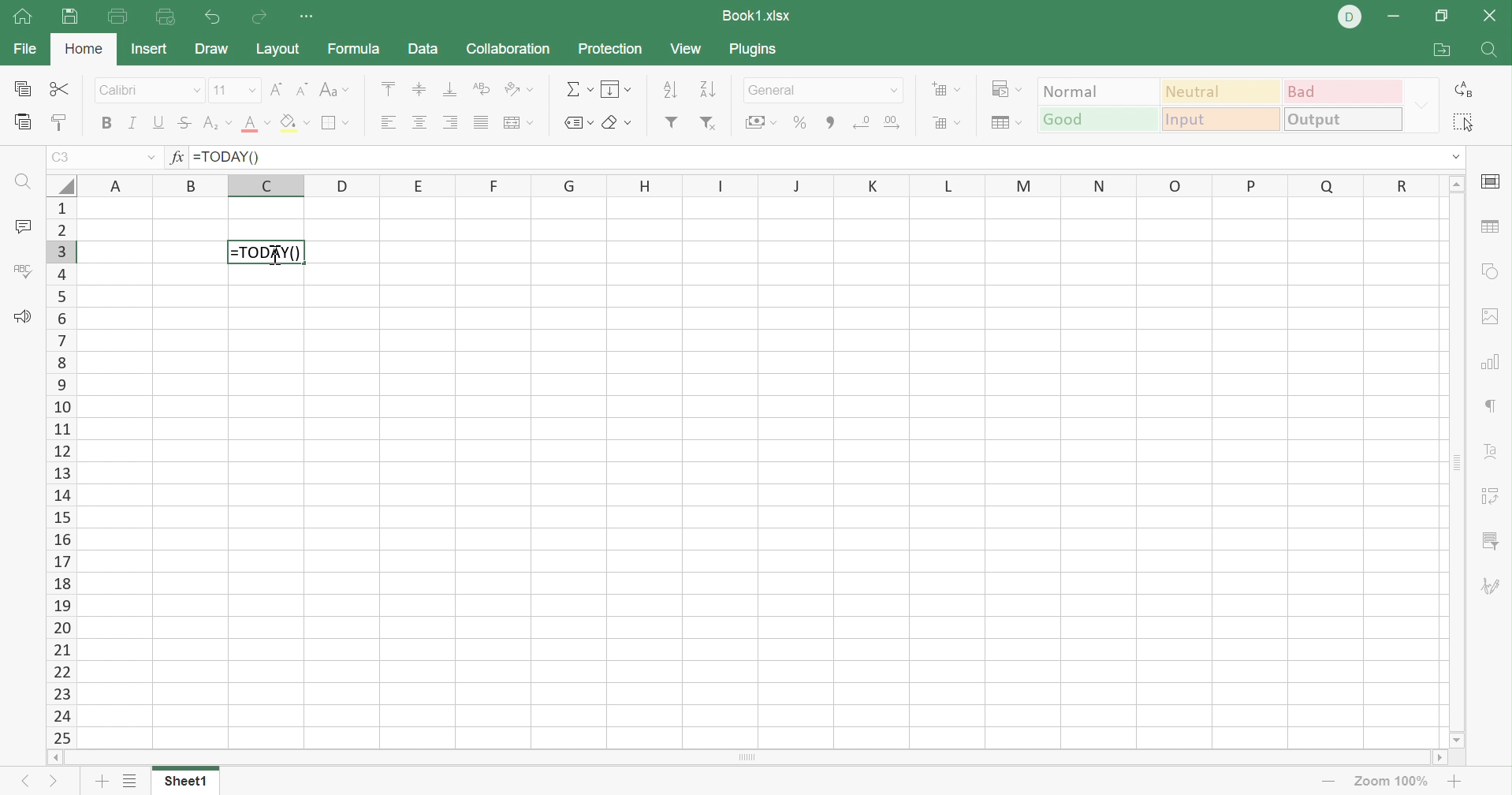 Image resolution: width=1512 pixels, height=795 pixels. What do you see at coordinates (149, 155) in the screenshot?
I see `Drop Down` at bounding box center [149, 155].